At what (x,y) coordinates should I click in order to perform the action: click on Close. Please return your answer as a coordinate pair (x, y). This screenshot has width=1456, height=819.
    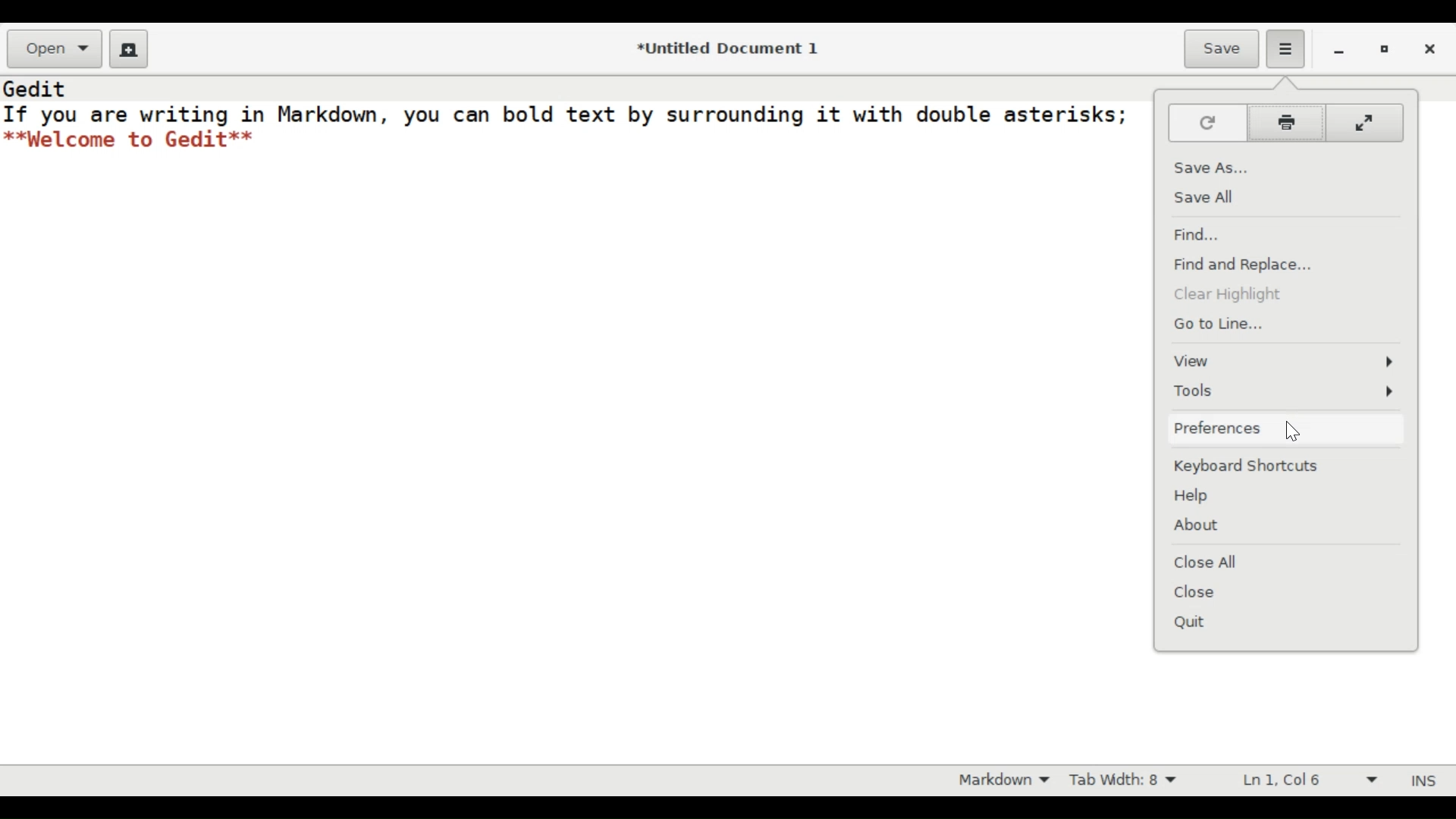
    Looking at the image, I should click on (1203, 593).